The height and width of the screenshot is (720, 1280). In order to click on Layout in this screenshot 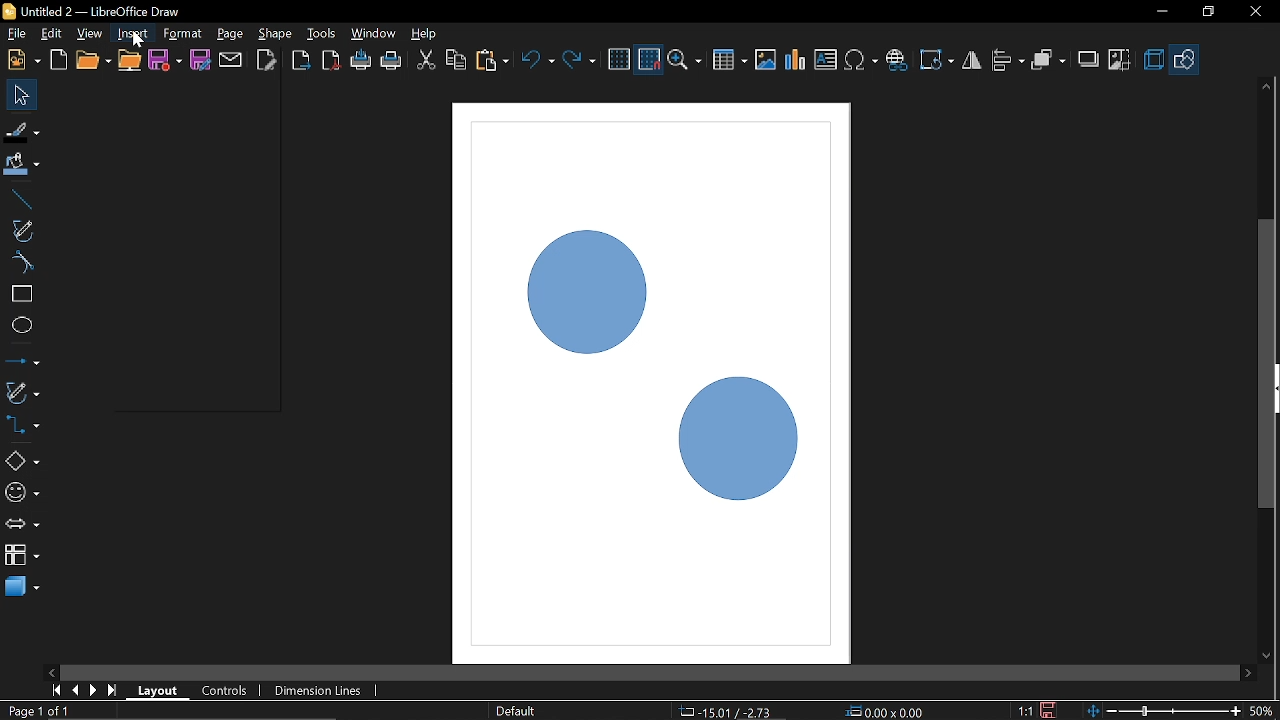, I will do `click(158, 690)`.